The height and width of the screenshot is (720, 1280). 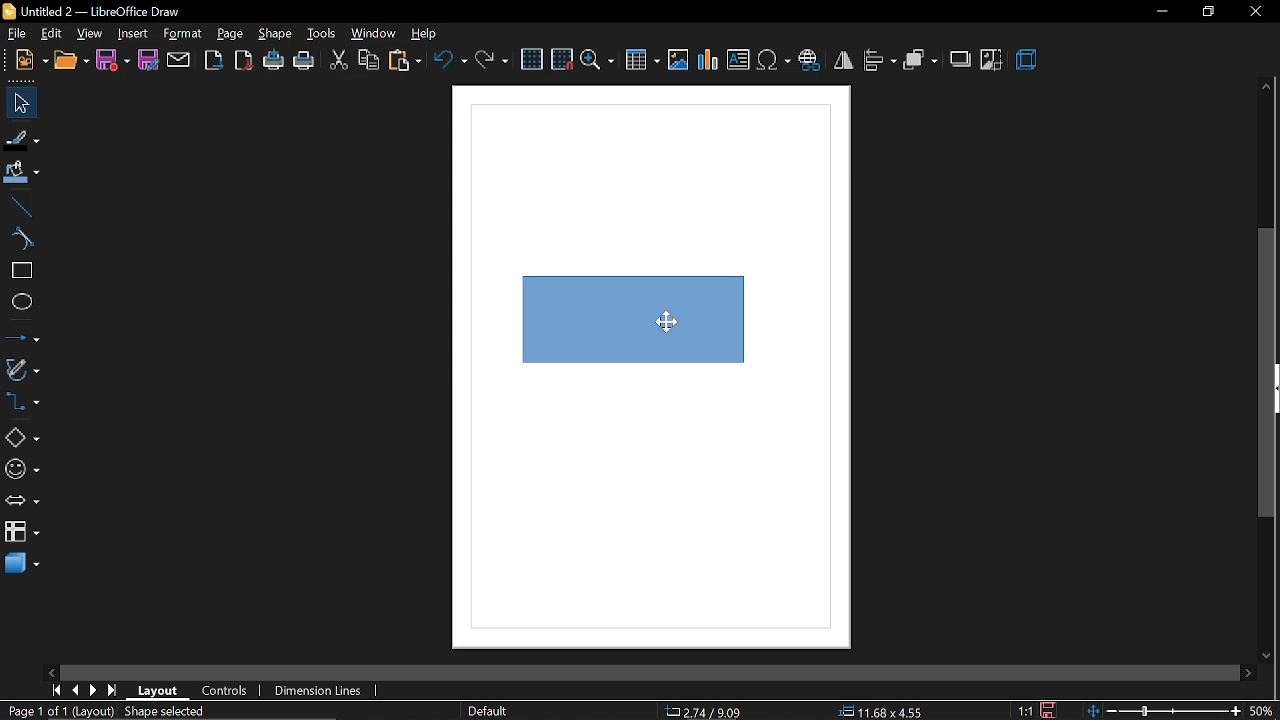 I want to click on page, so click(x=232, y=32).